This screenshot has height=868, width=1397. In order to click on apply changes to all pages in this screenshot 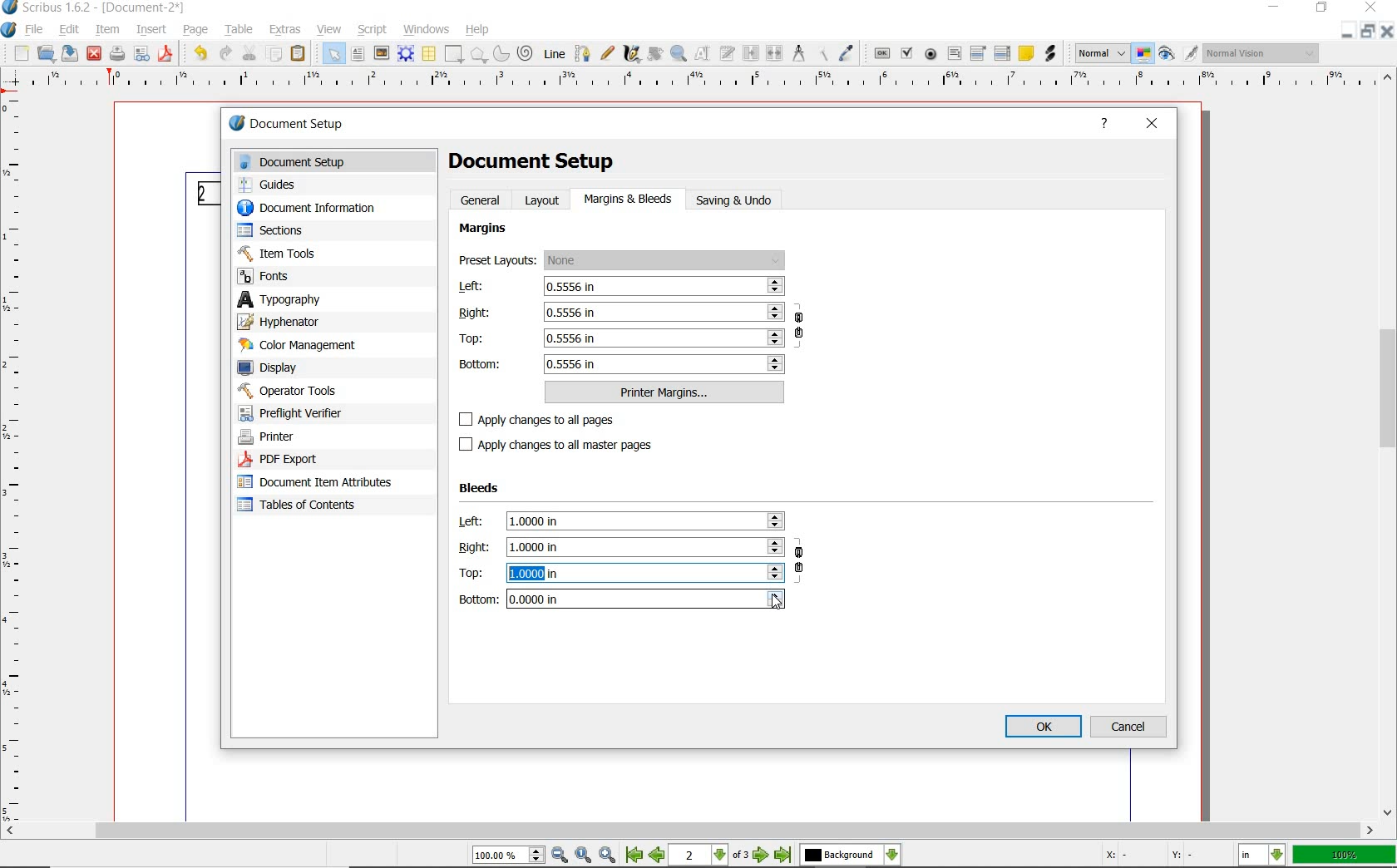, I will do `click(547, 421)`.